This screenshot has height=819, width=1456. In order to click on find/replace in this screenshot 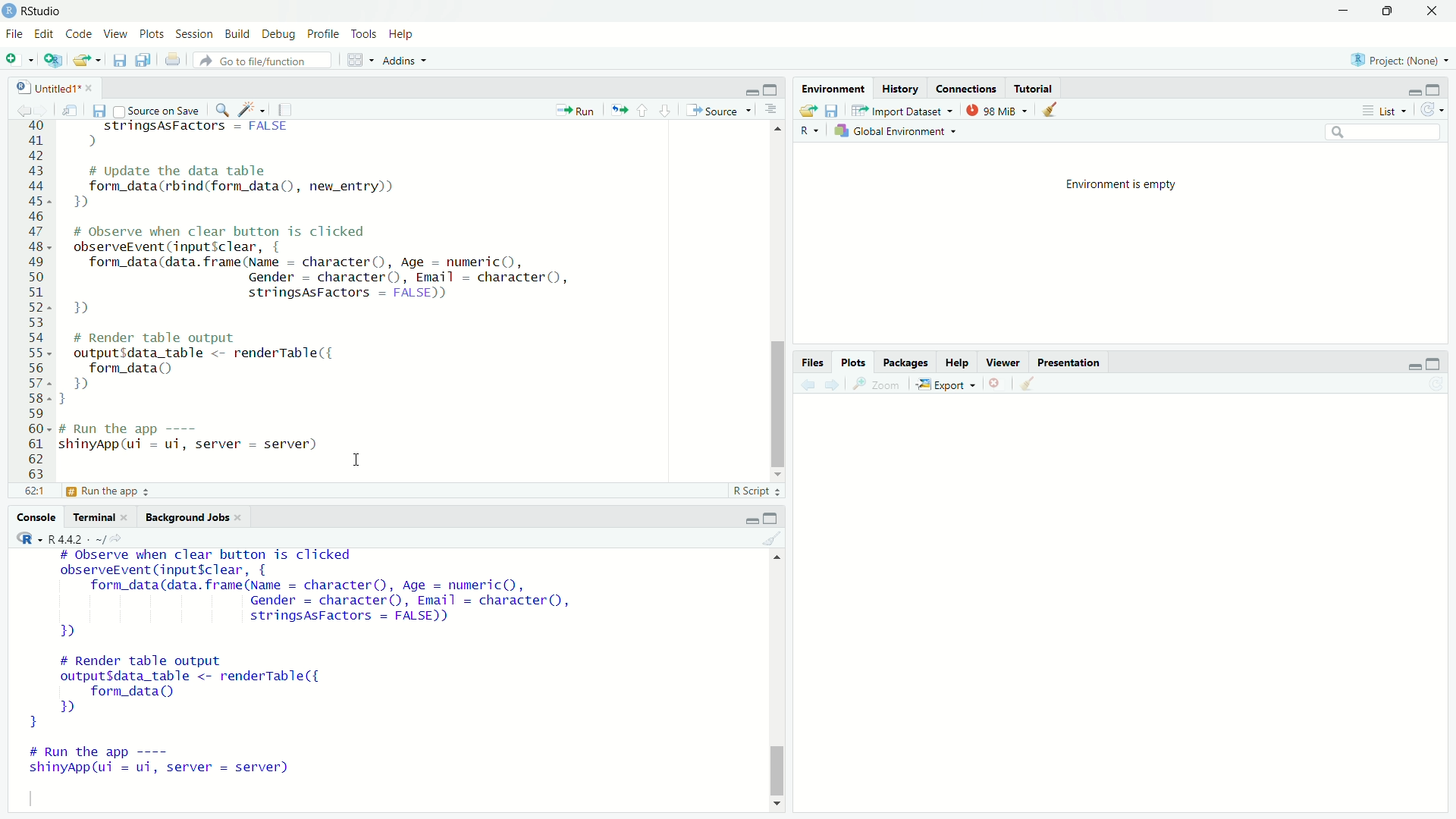, I will do `click(220, 108)`.